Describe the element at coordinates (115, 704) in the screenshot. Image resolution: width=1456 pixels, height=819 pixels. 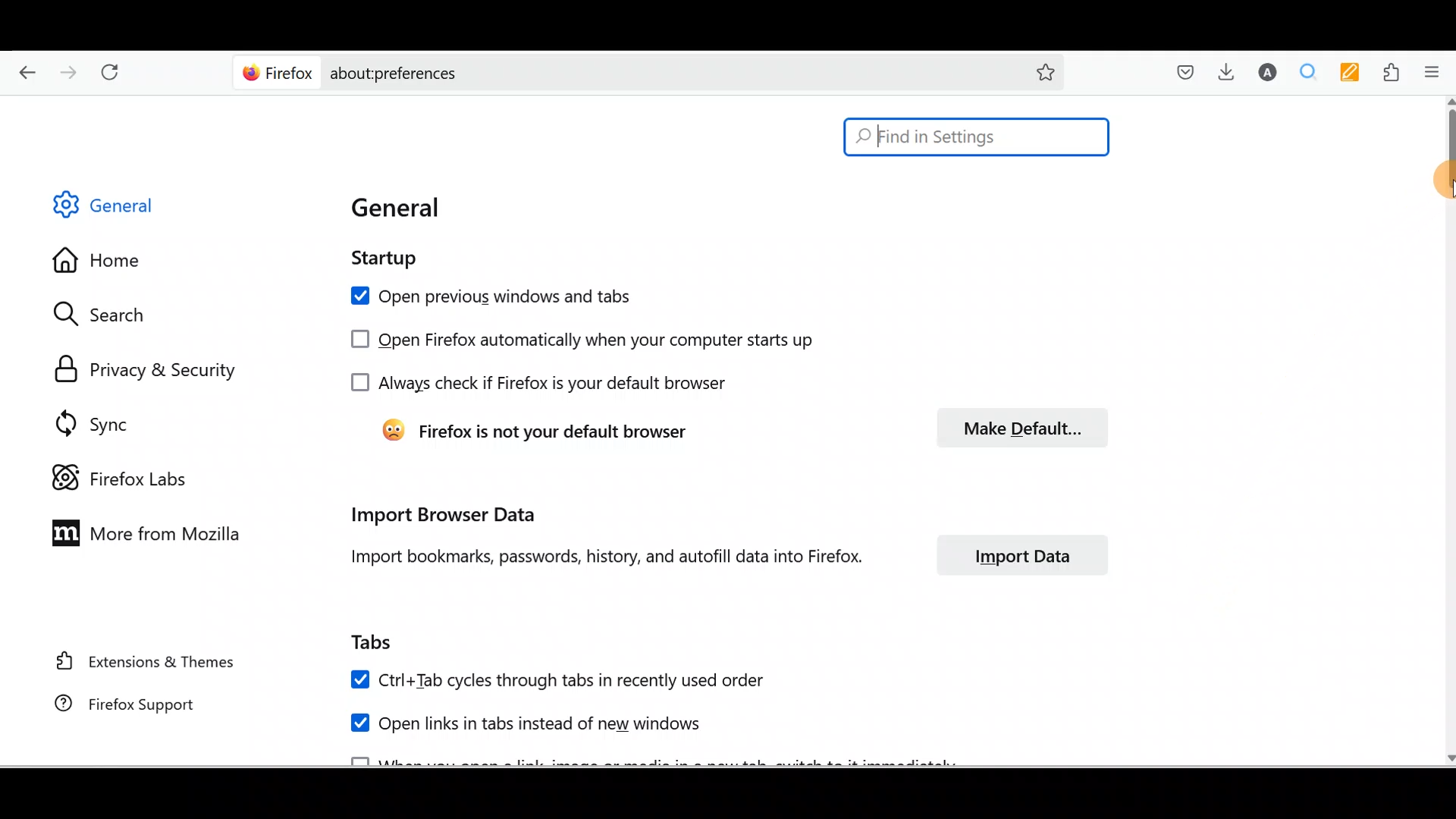
I see `Firefox support` at that location.